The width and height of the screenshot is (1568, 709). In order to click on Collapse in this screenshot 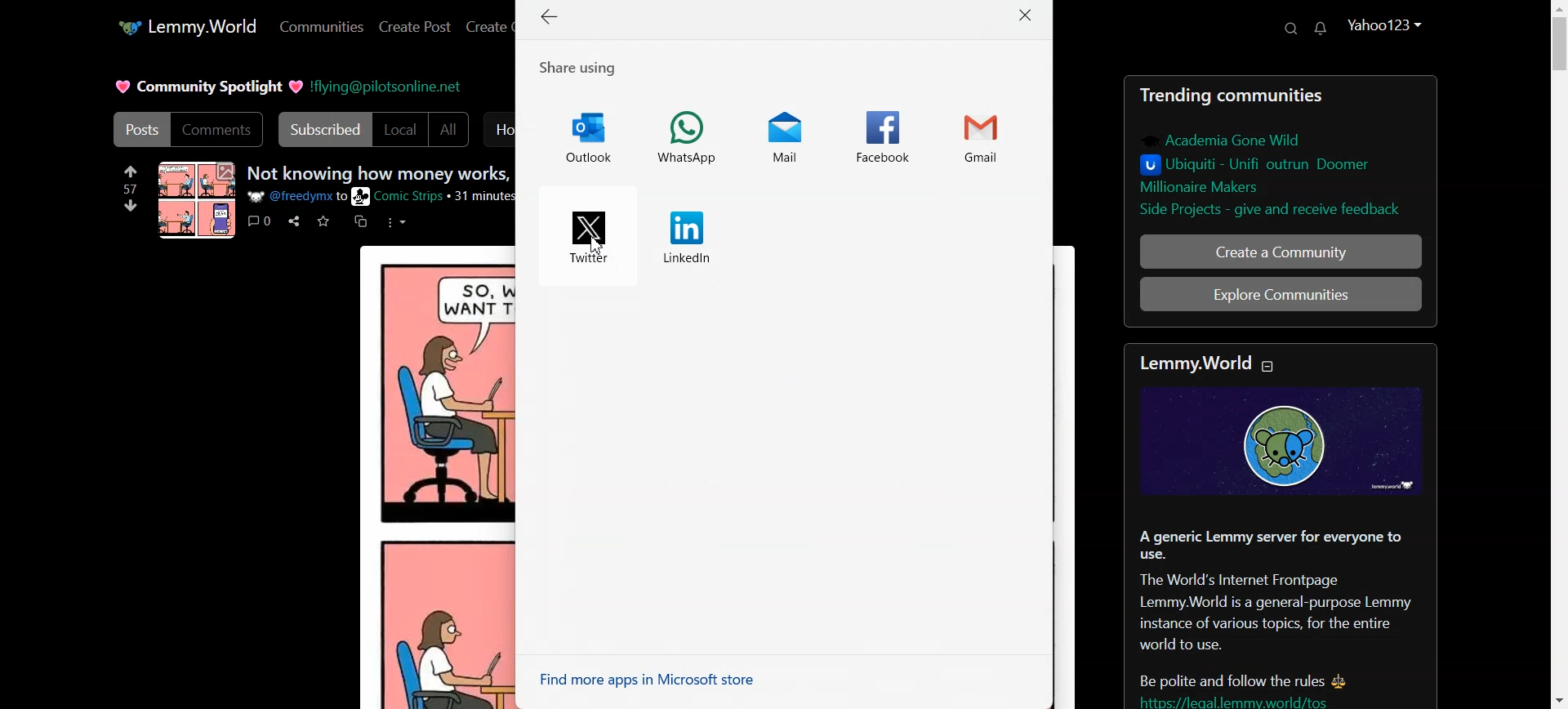, I will do `click(1270, 367)`.